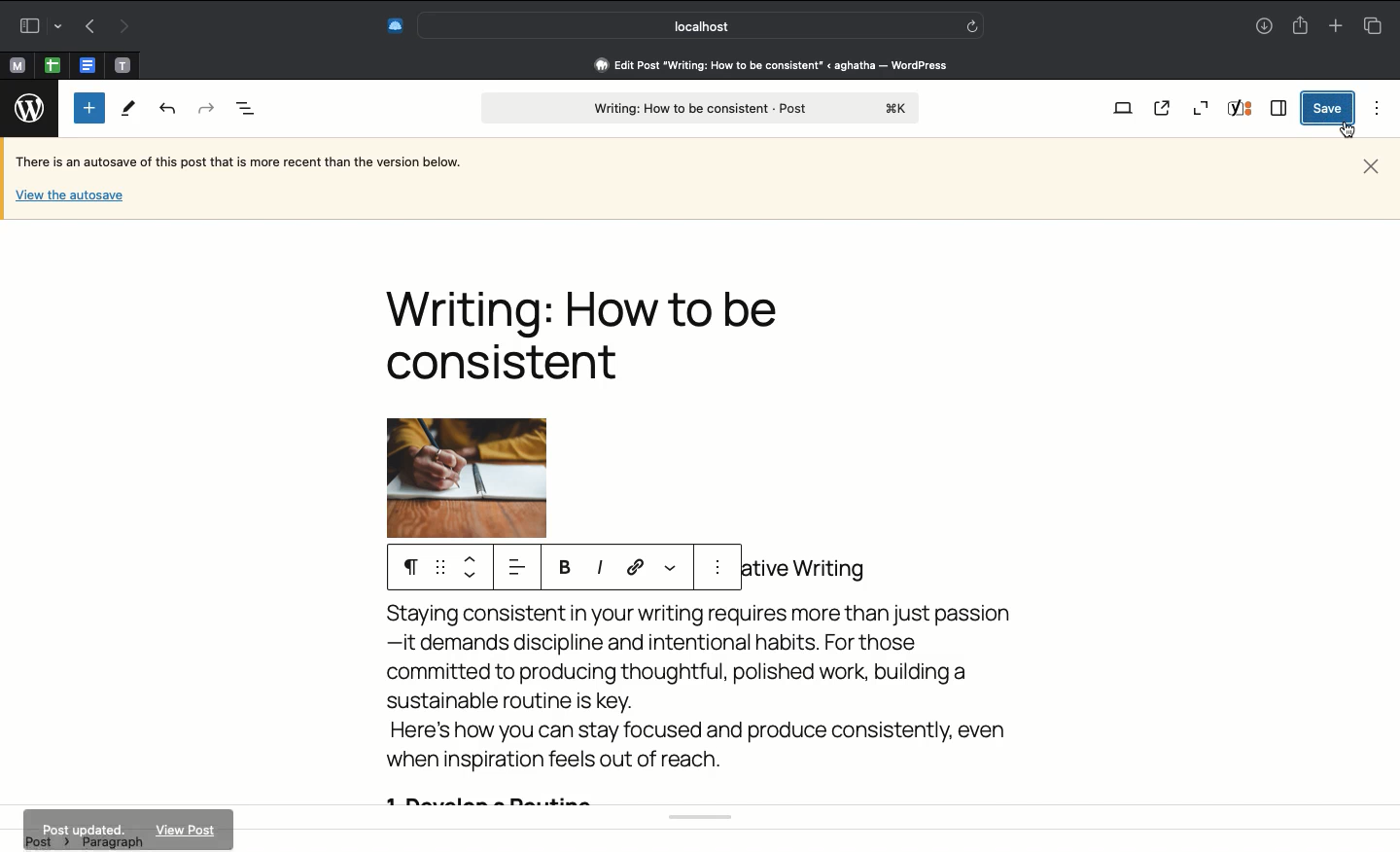  What do you see at coordinates (405, 566) in the screenshot?
I see `Paragraph` at bounding box center [405, 566].